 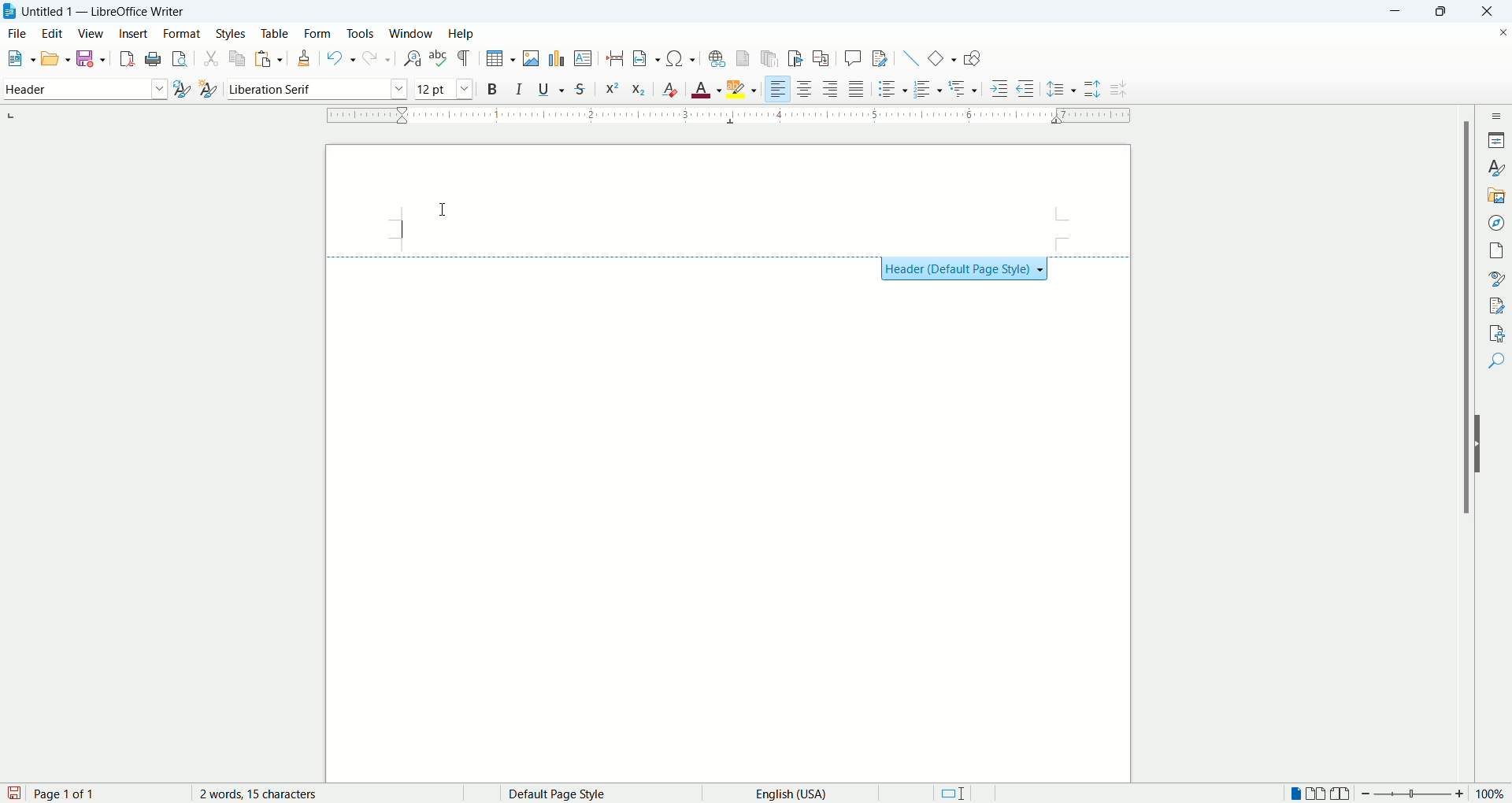 I want to click on ruler, so click(x=722, y=116).